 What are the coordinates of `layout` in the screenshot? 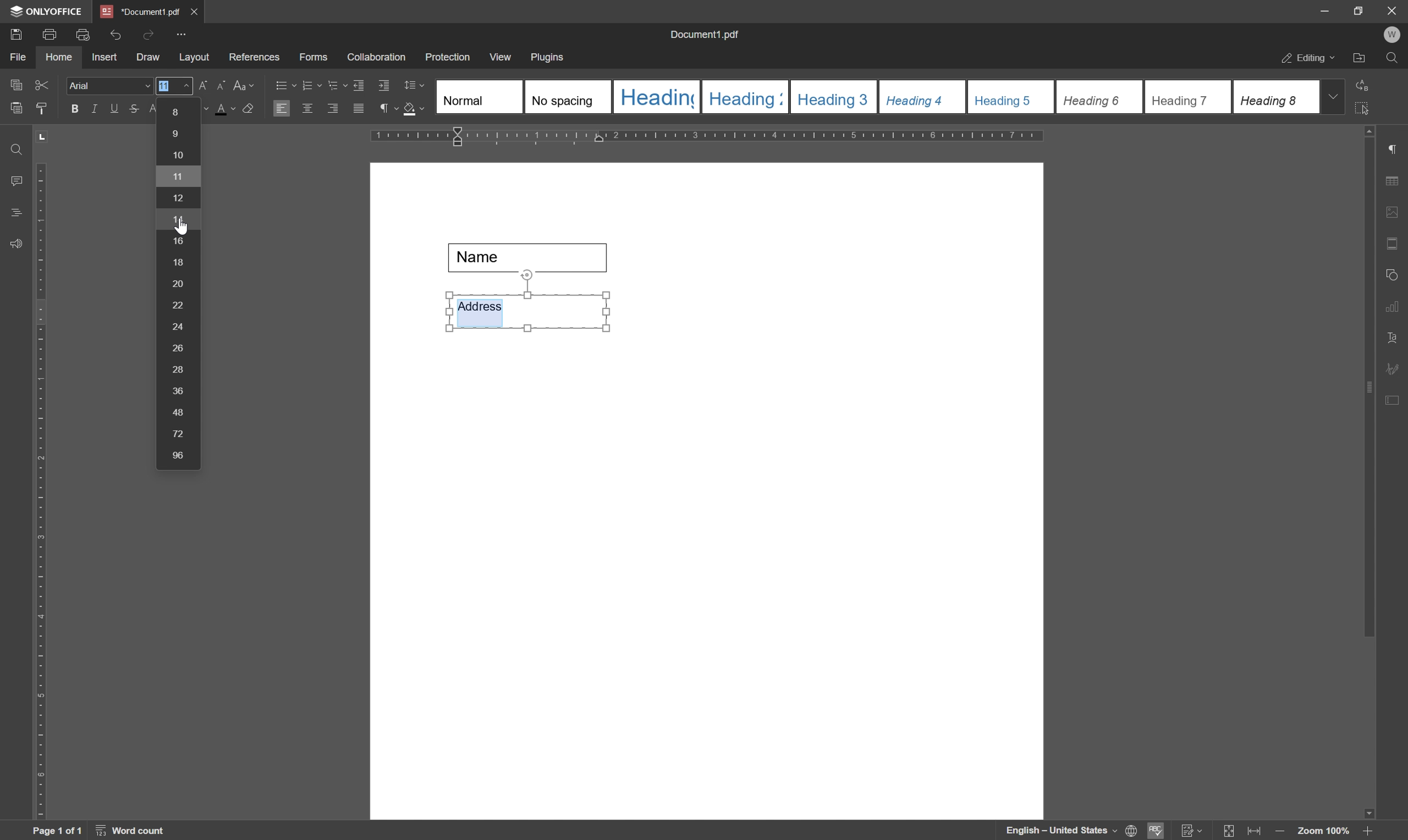 It's located at (194, 58).